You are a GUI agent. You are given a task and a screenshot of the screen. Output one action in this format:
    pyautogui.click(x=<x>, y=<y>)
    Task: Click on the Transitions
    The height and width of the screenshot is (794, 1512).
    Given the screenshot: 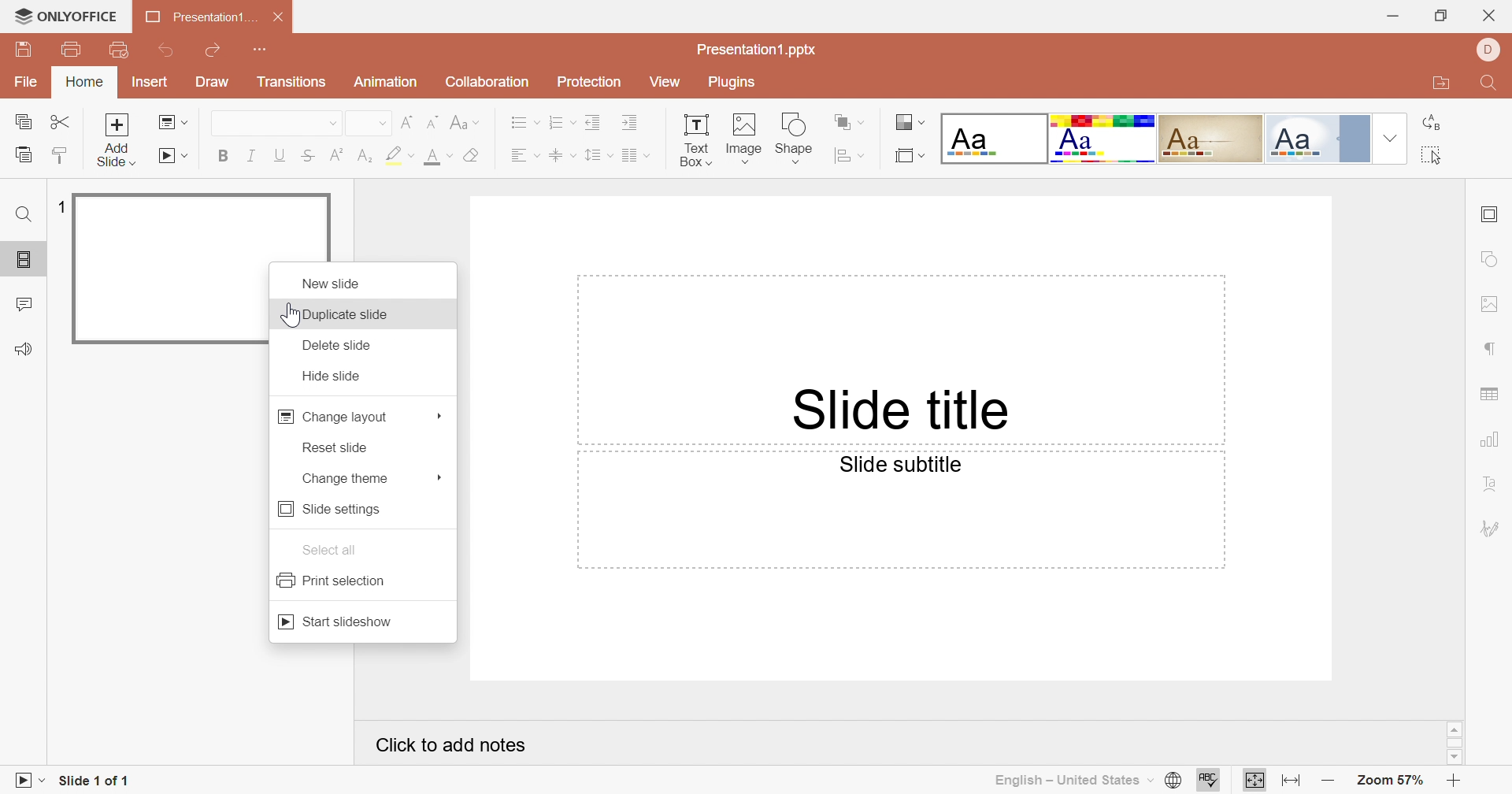 What is the action you would take?
    pyautogui.click(x=294, y=83)
    